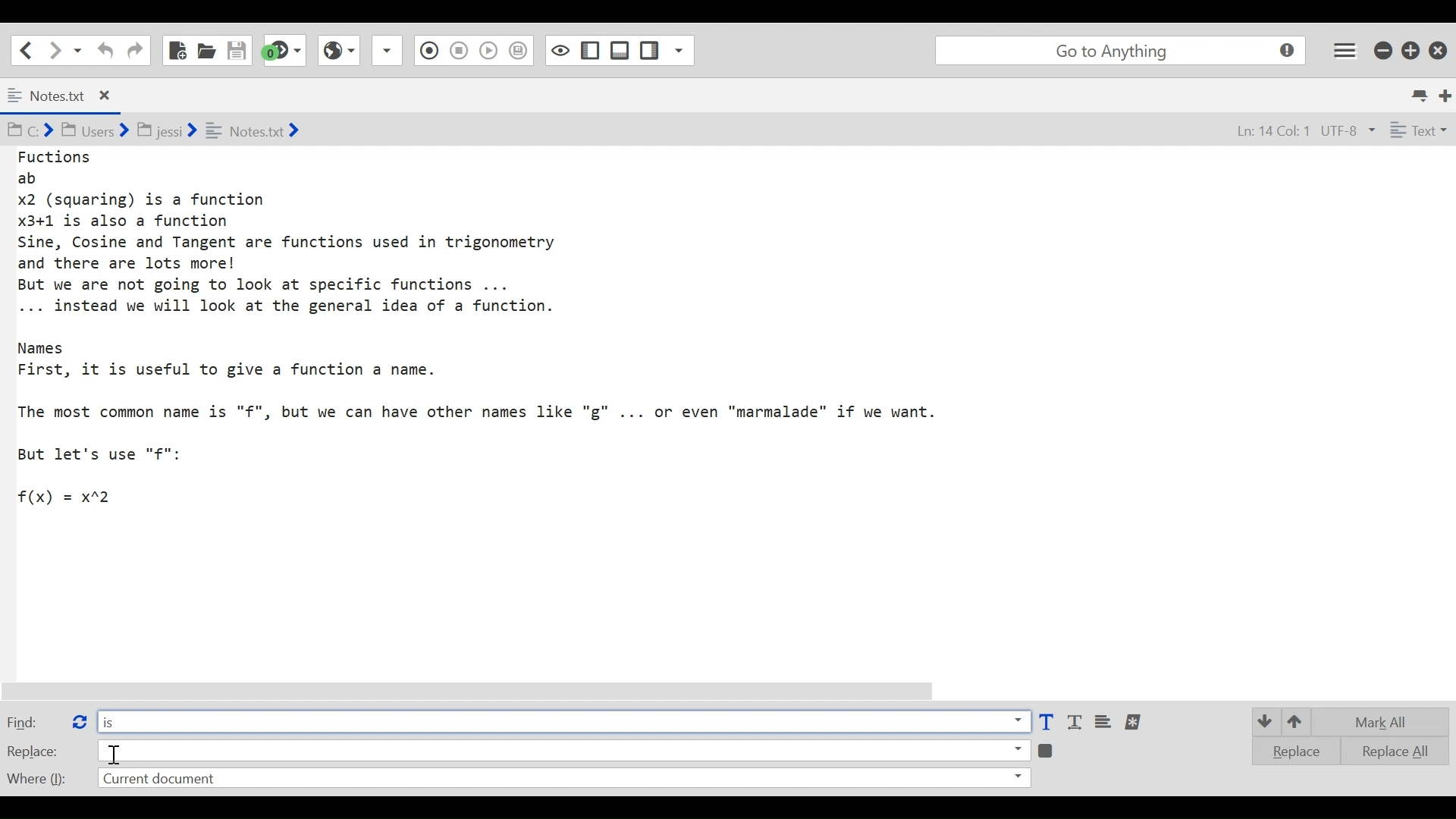 The width and height of the screenshot is (1456, 819). Describe the element at coordinates (667, 51) in the screenshot. I see `Show specific Sidepane` at that location.